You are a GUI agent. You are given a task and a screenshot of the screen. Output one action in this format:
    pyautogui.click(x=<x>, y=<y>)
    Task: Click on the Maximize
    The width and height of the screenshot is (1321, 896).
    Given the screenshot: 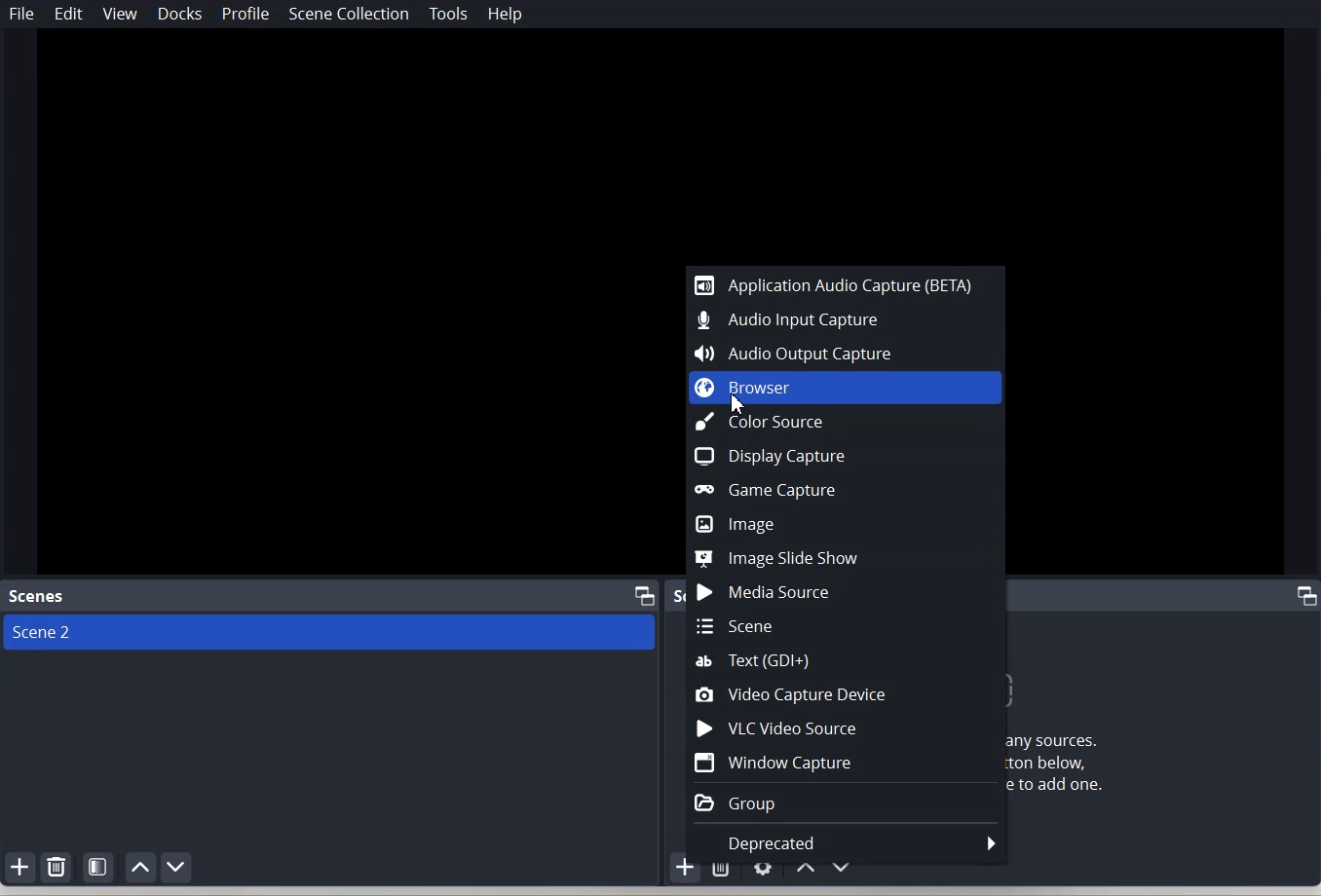 What is the action you would take?
    pyautogui.click(x=1307, y=596)
    